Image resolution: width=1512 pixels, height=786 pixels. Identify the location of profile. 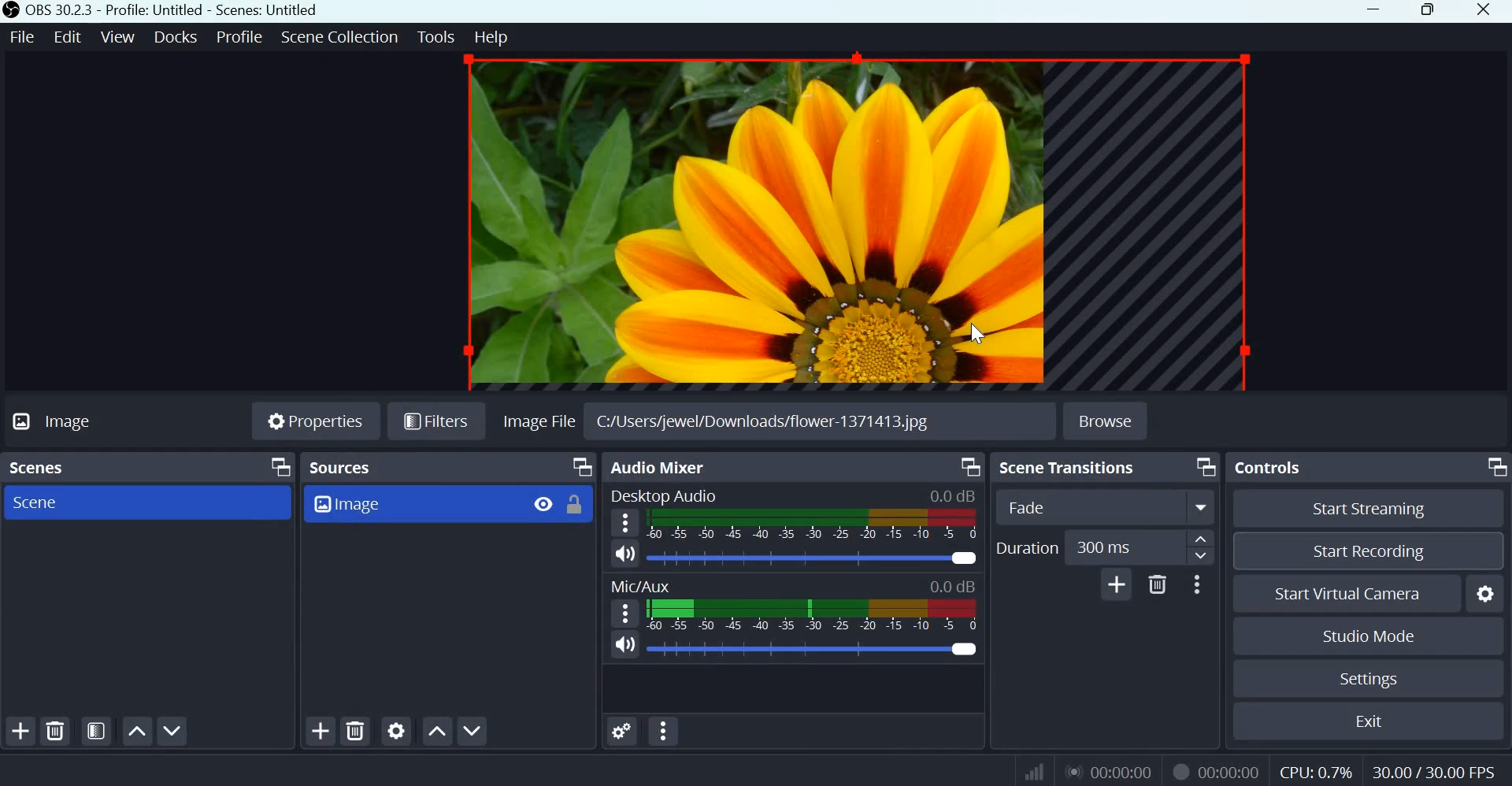
(241, 35).